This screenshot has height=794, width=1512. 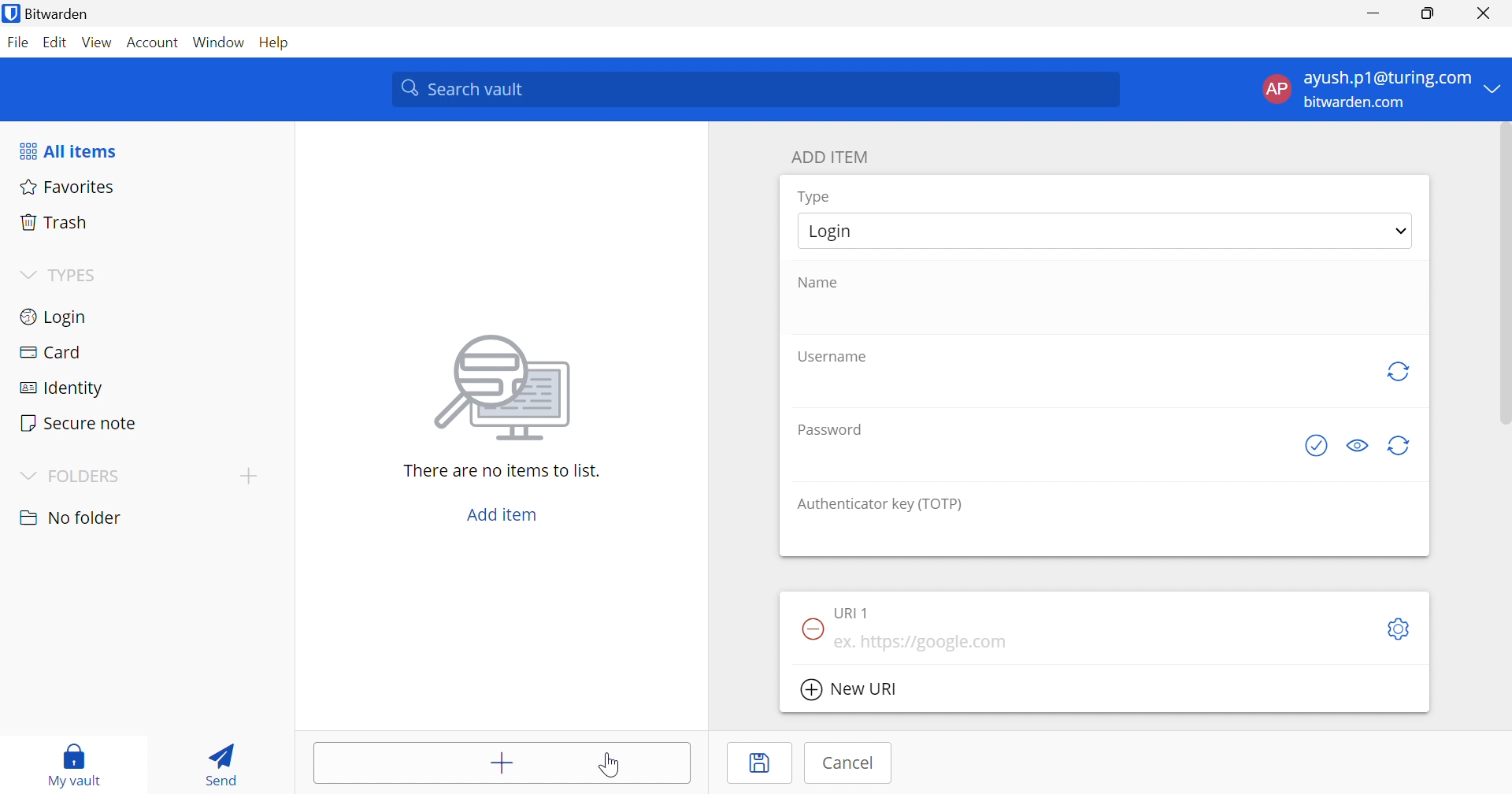 What do you see at coordinates (154, 41) in the screenshot?
I see `Account` at bounding box center [154, 41].